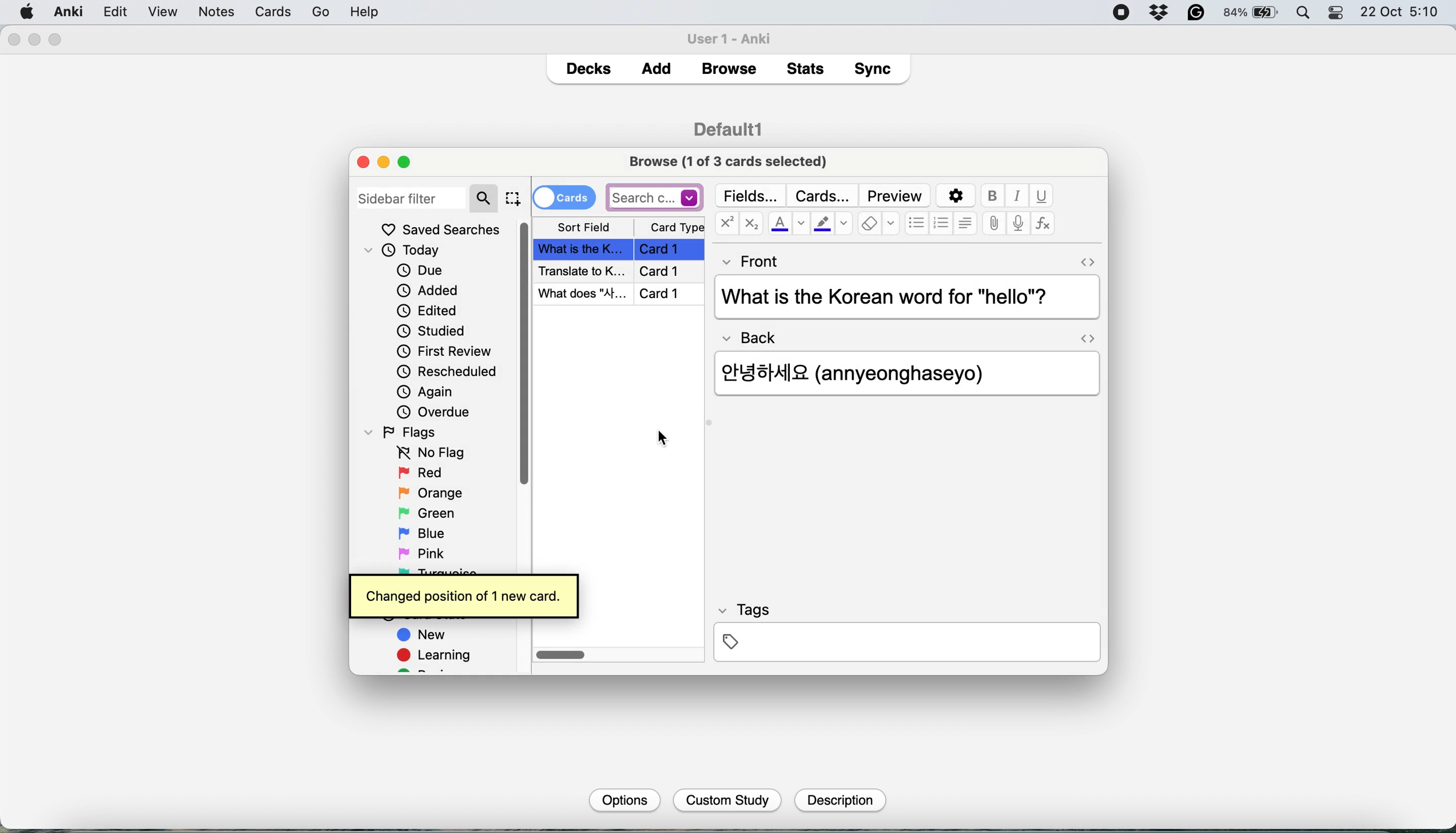 This screenshot has height=833, width=1456. What do you see at coordinates (994, 224) in the screenshot?
I see `attachment` at bounding box center [994, 224].